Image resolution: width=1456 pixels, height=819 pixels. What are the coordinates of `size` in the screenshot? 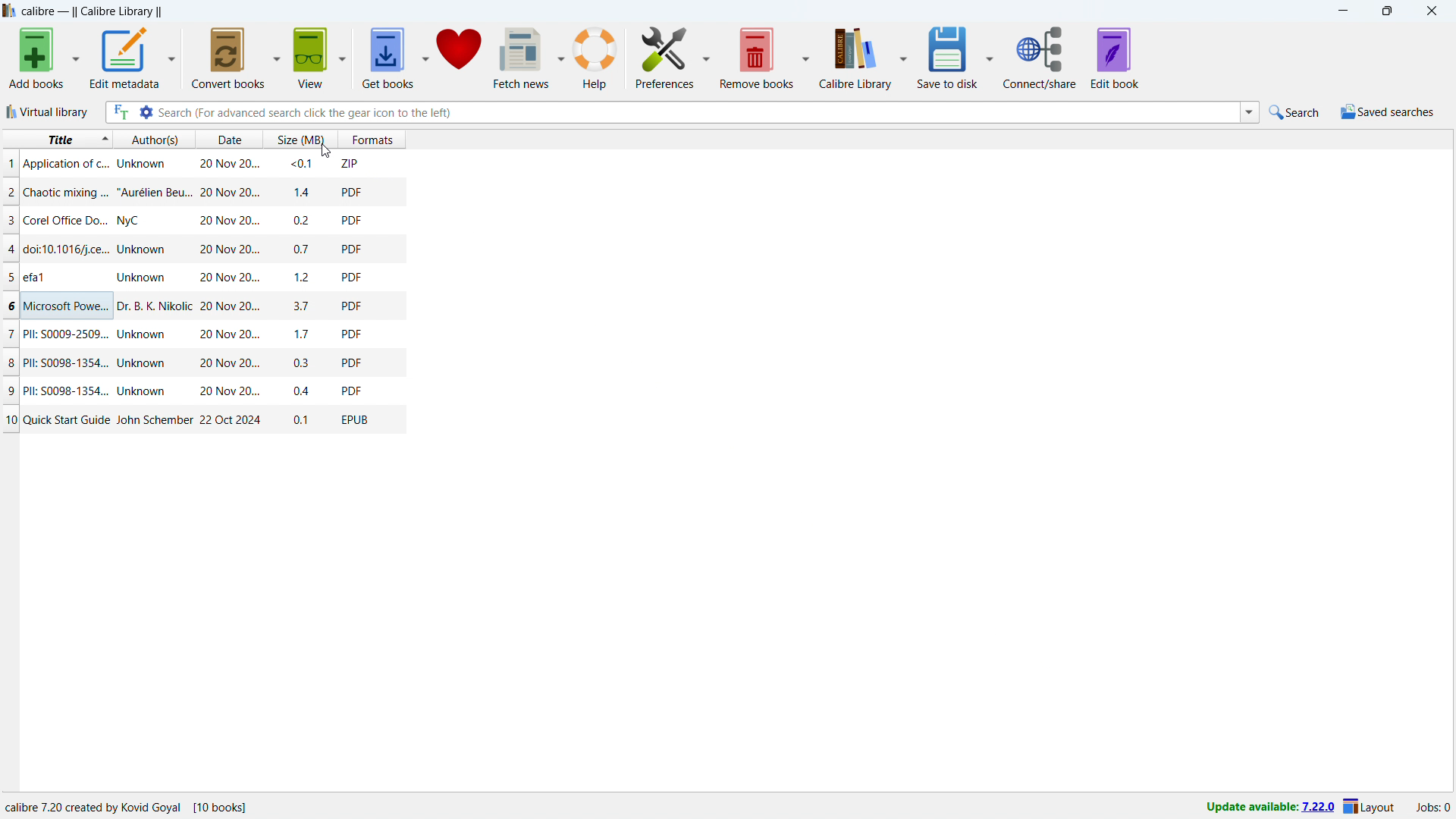 It's located at (300, 190).